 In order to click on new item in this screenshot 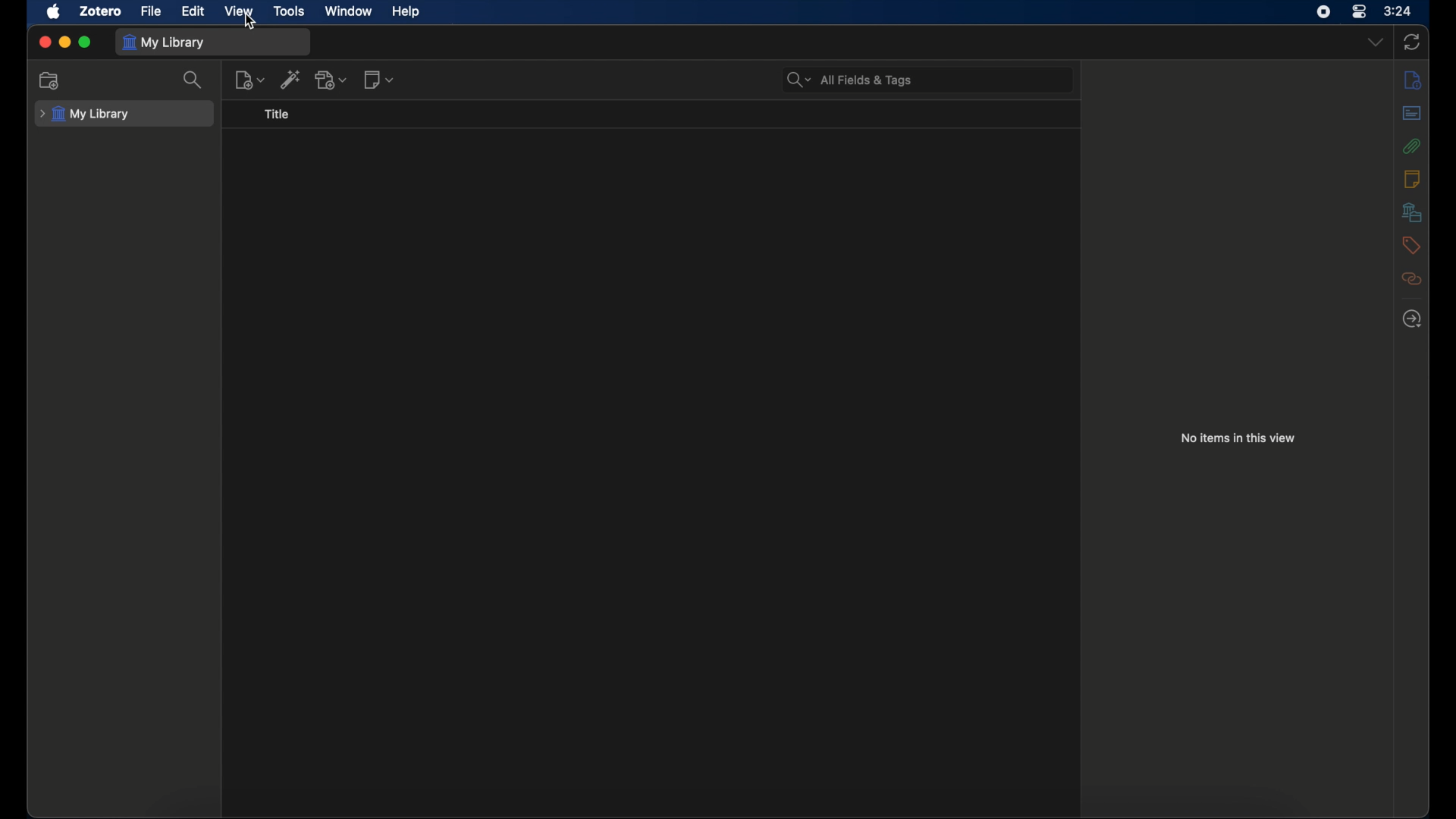, I will do `click(251, 80)`.